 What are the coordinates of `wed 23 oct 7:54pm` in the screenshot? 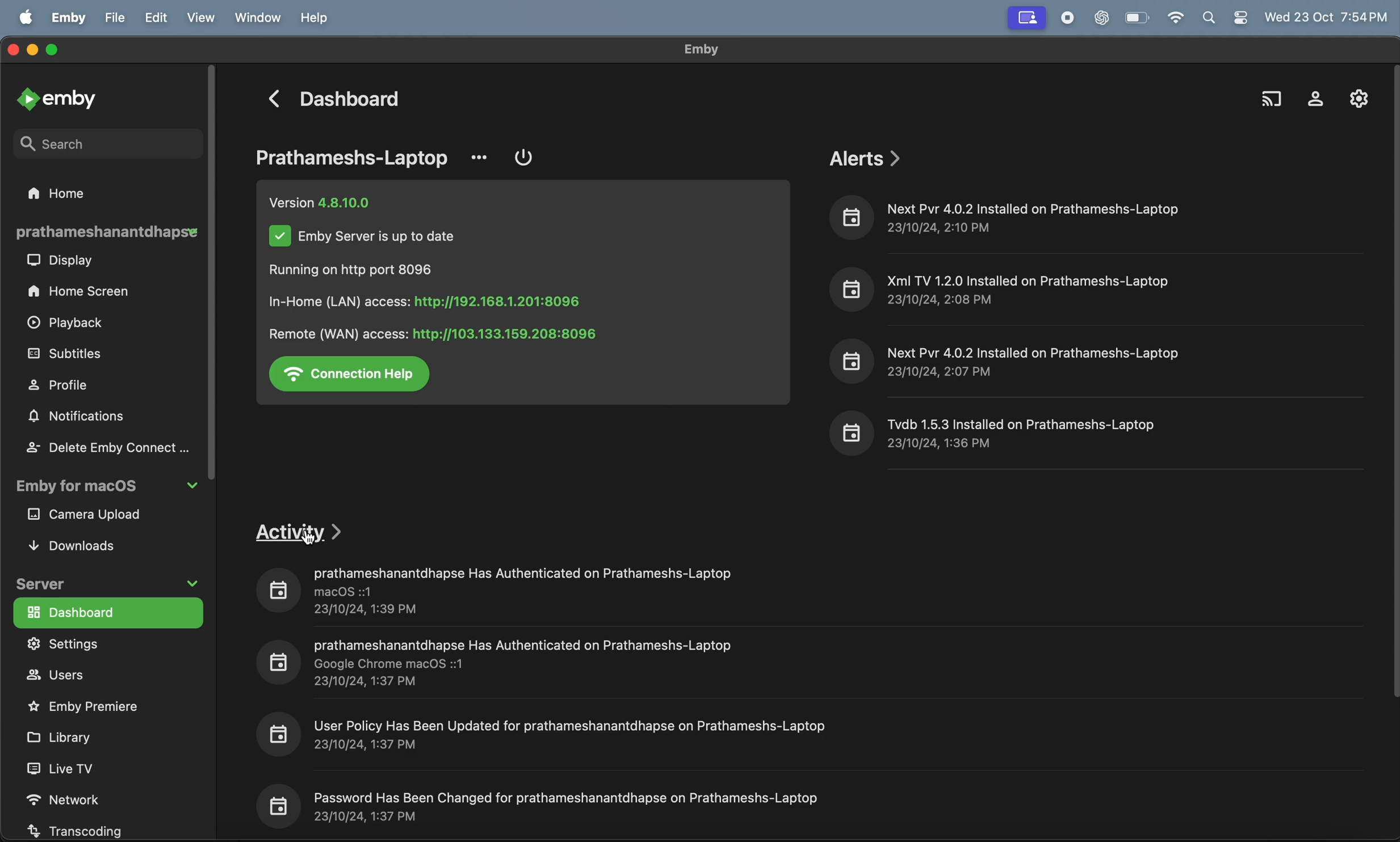 It's located at (1328, 15).